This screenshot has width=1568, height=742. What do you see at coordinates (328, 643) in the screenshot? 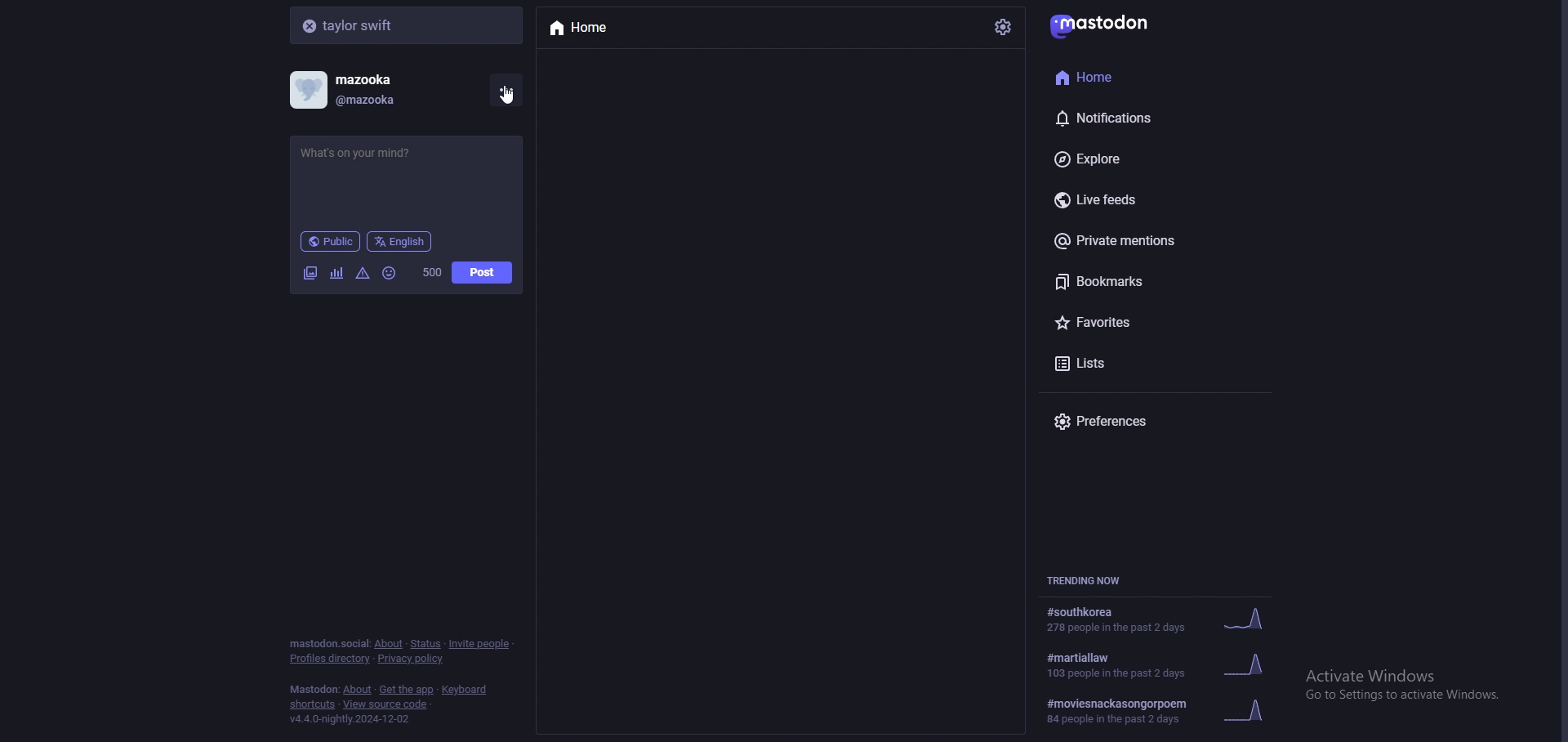
I see `mastodon` at bounding box center [328, 643].